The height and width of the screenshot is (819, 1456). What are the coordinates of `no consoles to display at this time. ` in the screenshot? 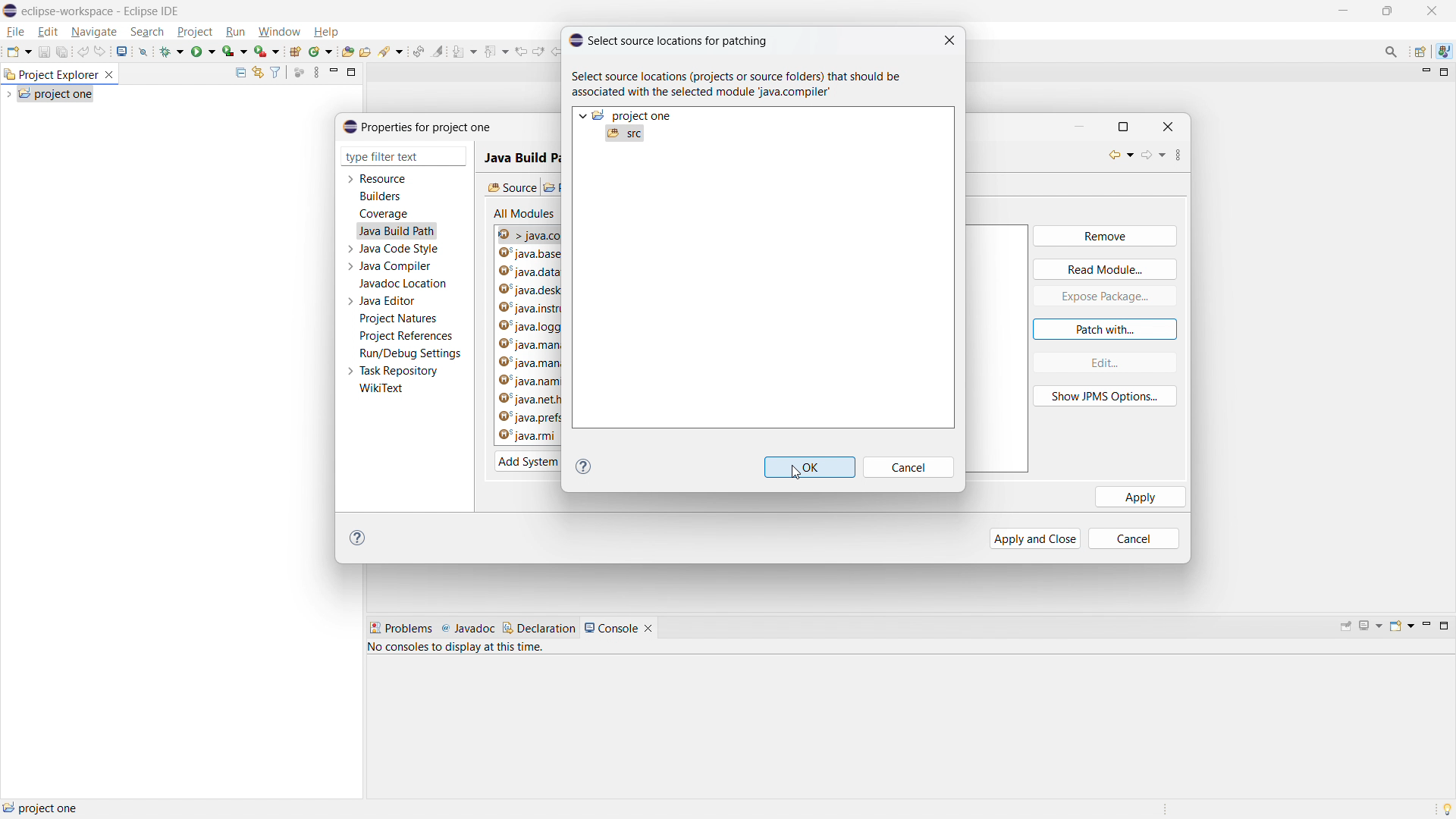 It's located at (459, 650).